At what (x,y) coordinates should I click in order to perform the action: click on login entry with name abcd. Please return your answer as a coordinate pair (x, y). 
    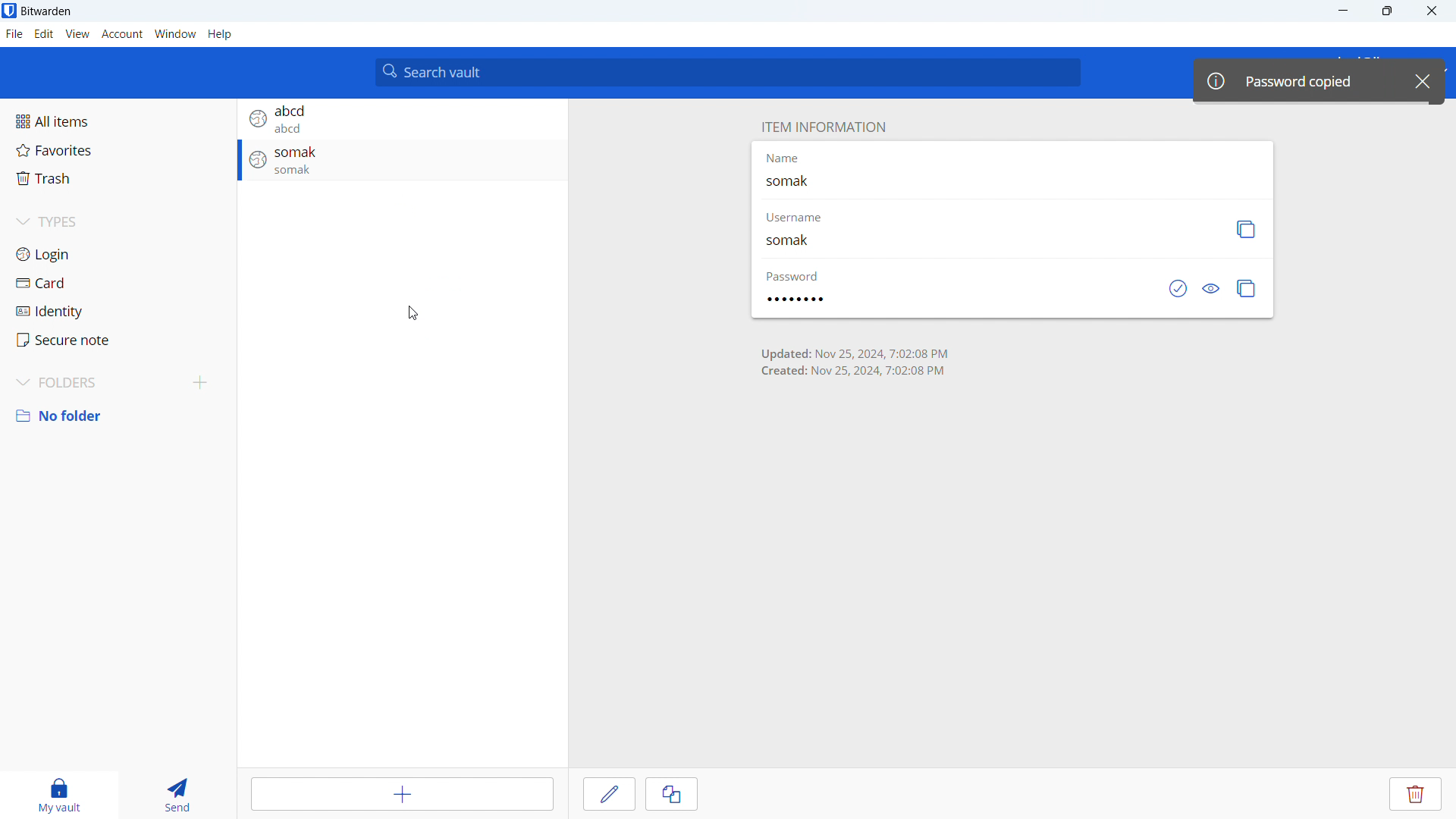
    Looking at the image, I should click on (402, 118).